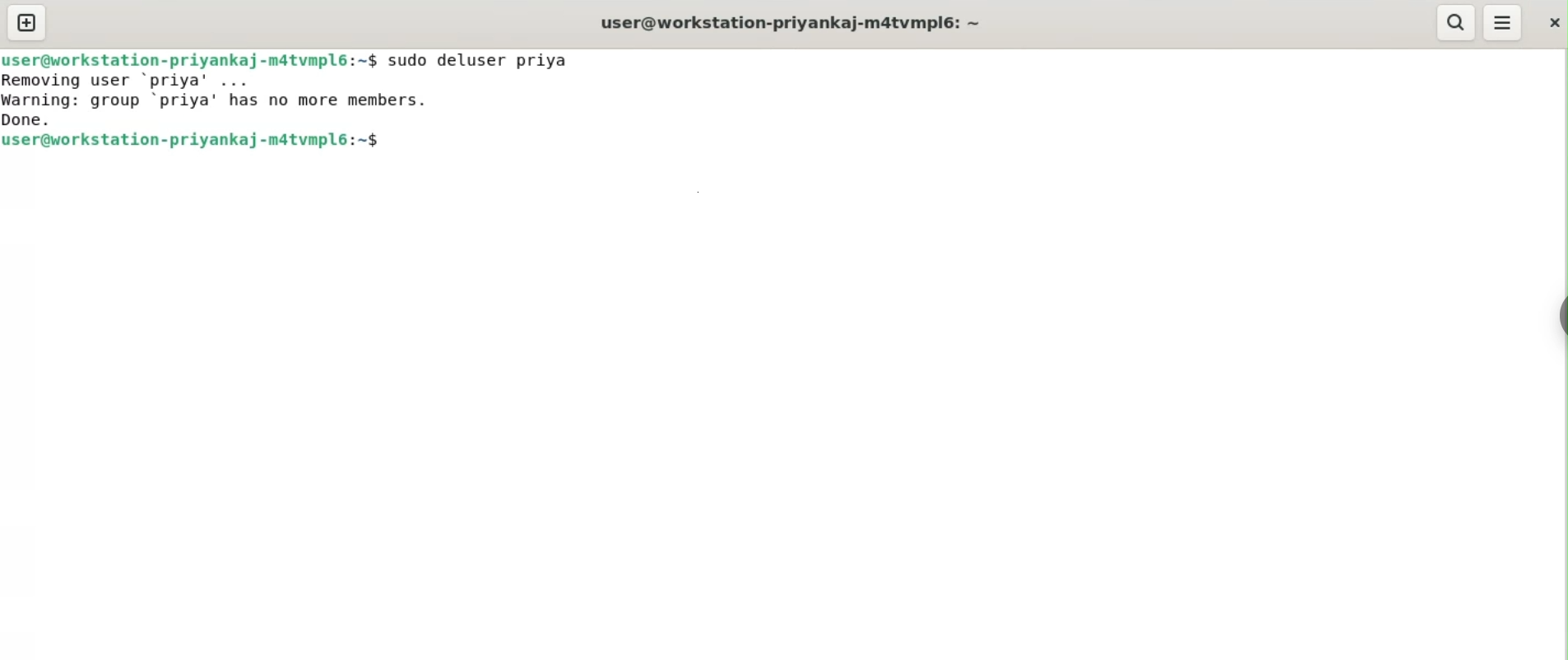  What do you see at coordinates (1456, 22) in the screenshot?
I see `search` at bounding box center [1456, 22].